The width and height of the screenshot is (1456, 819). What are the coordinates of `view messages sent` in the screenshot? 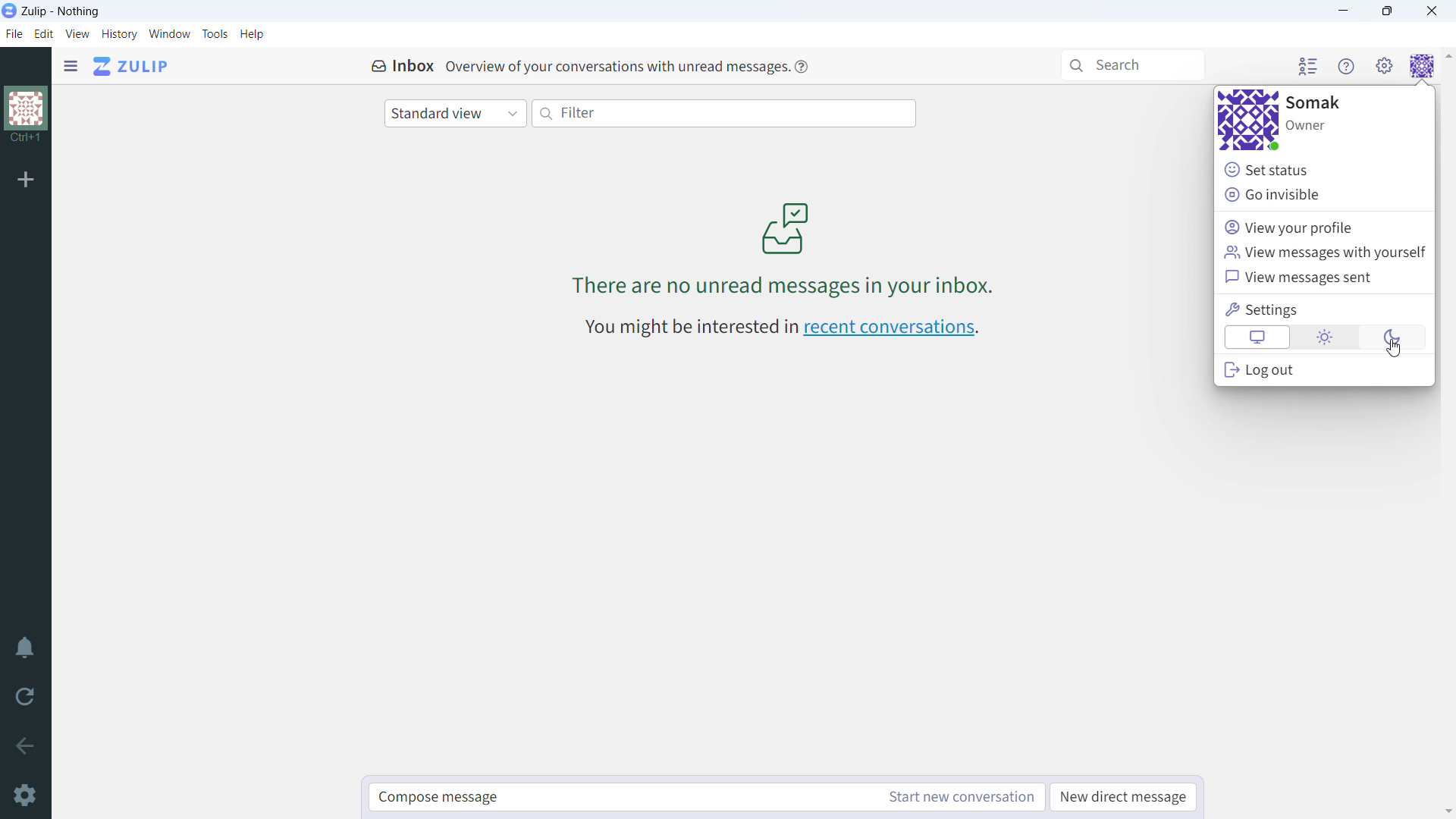 It's located at (1323, 277).